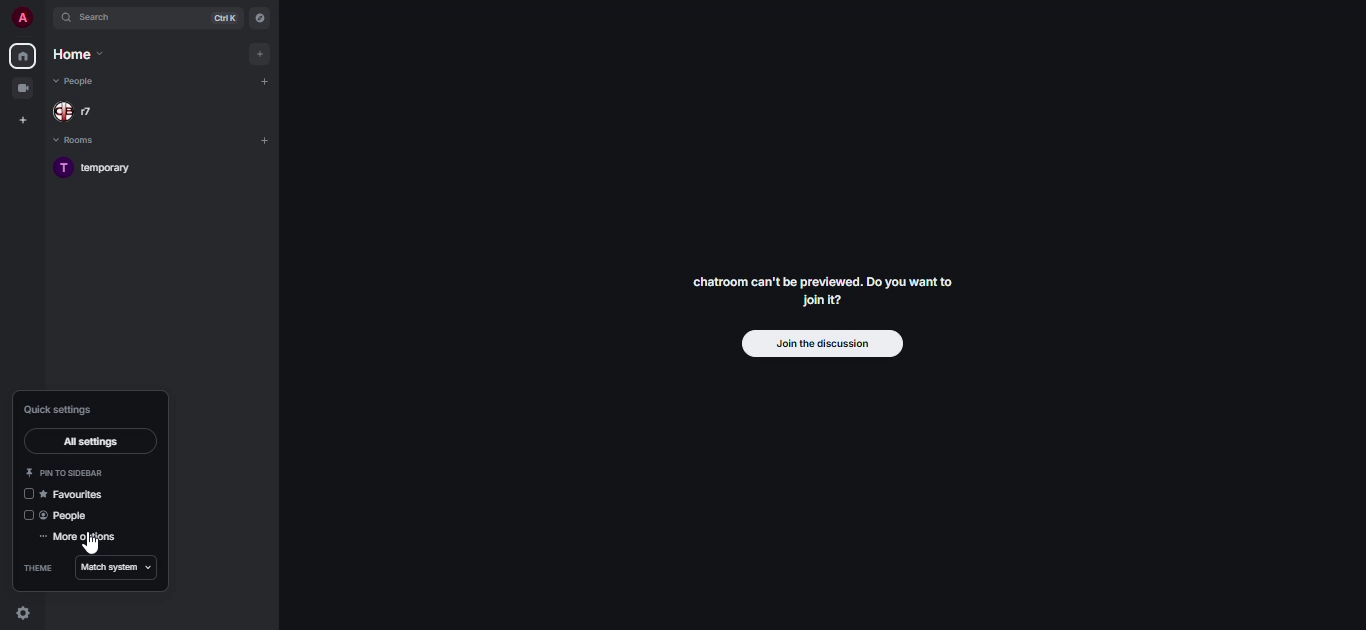 Image resolution: width=1366 pixels, height=630 pixels. What do you see at coordinates (264, 83) in the screenshot?
I see `add` at bounding box center [264, 83].